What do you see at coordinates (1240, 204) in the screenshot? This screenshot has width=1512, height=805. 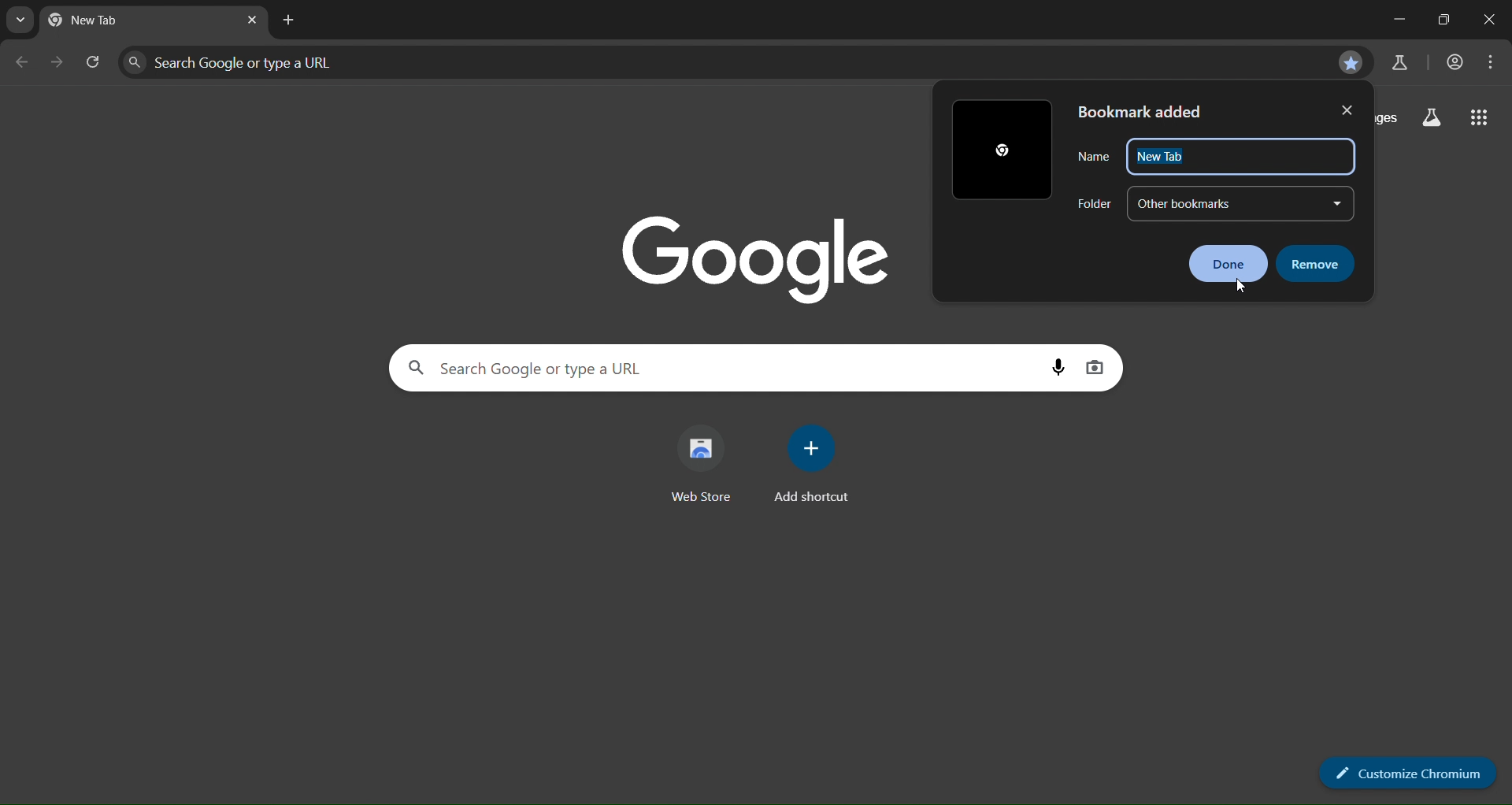 I see `select bookmarks` at bounding box center [1240, 204].